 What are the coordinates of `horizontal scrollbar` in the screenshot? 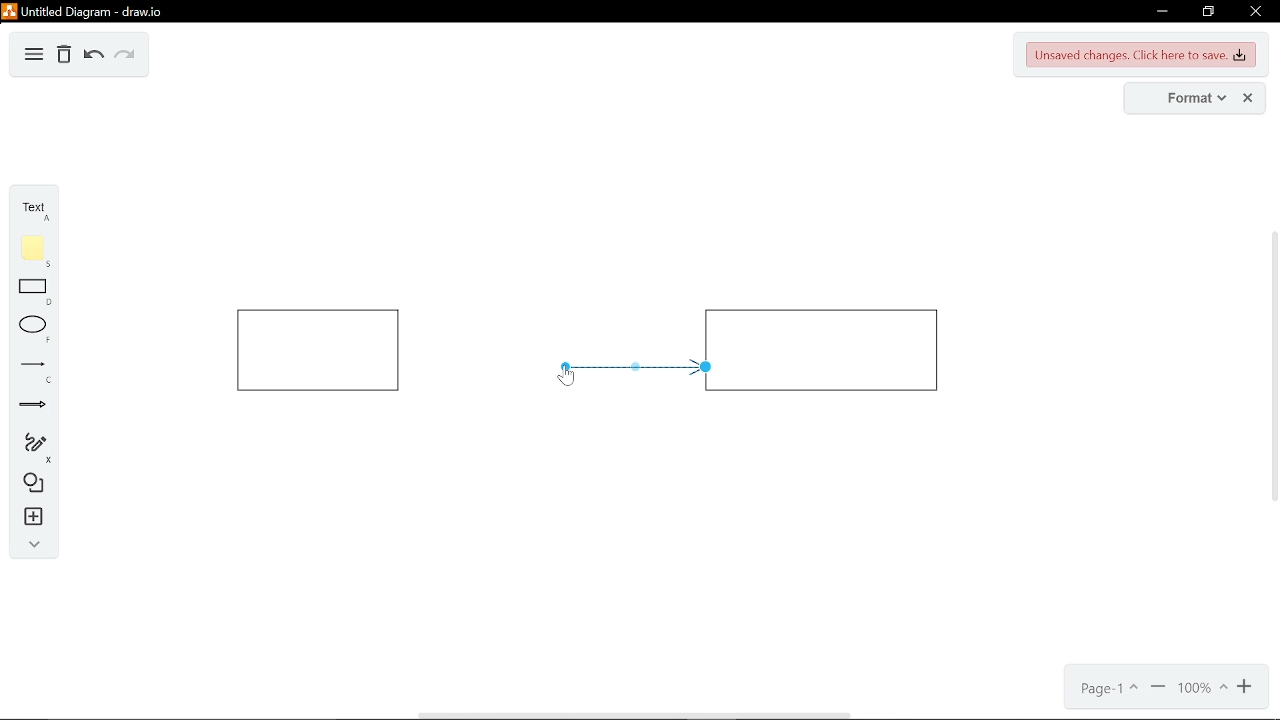 It's located at (638, 715).